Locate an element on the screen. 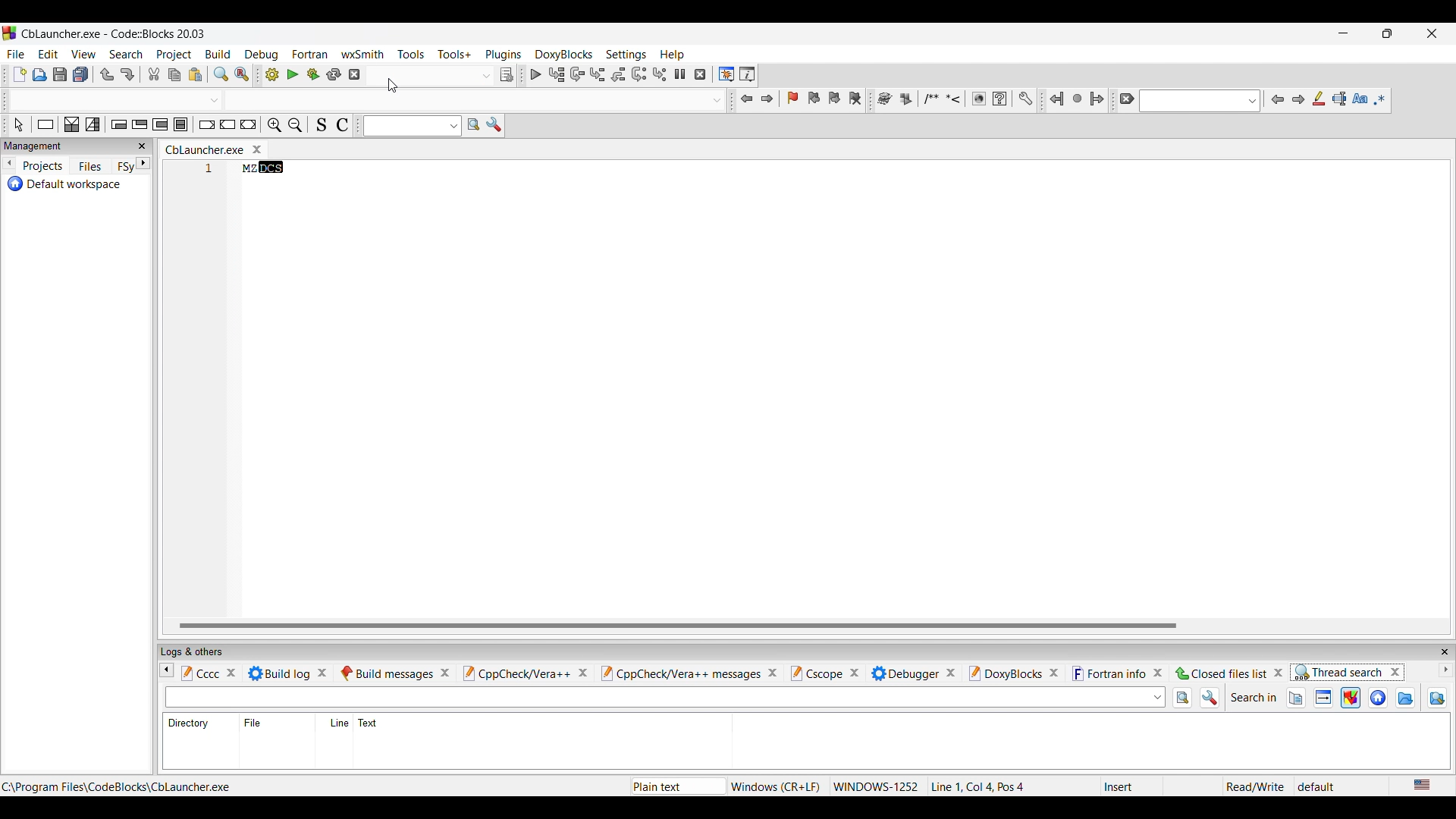 The height and width of the screenshot is (819, 1456). Build menu is located at coordinates (218, 54).